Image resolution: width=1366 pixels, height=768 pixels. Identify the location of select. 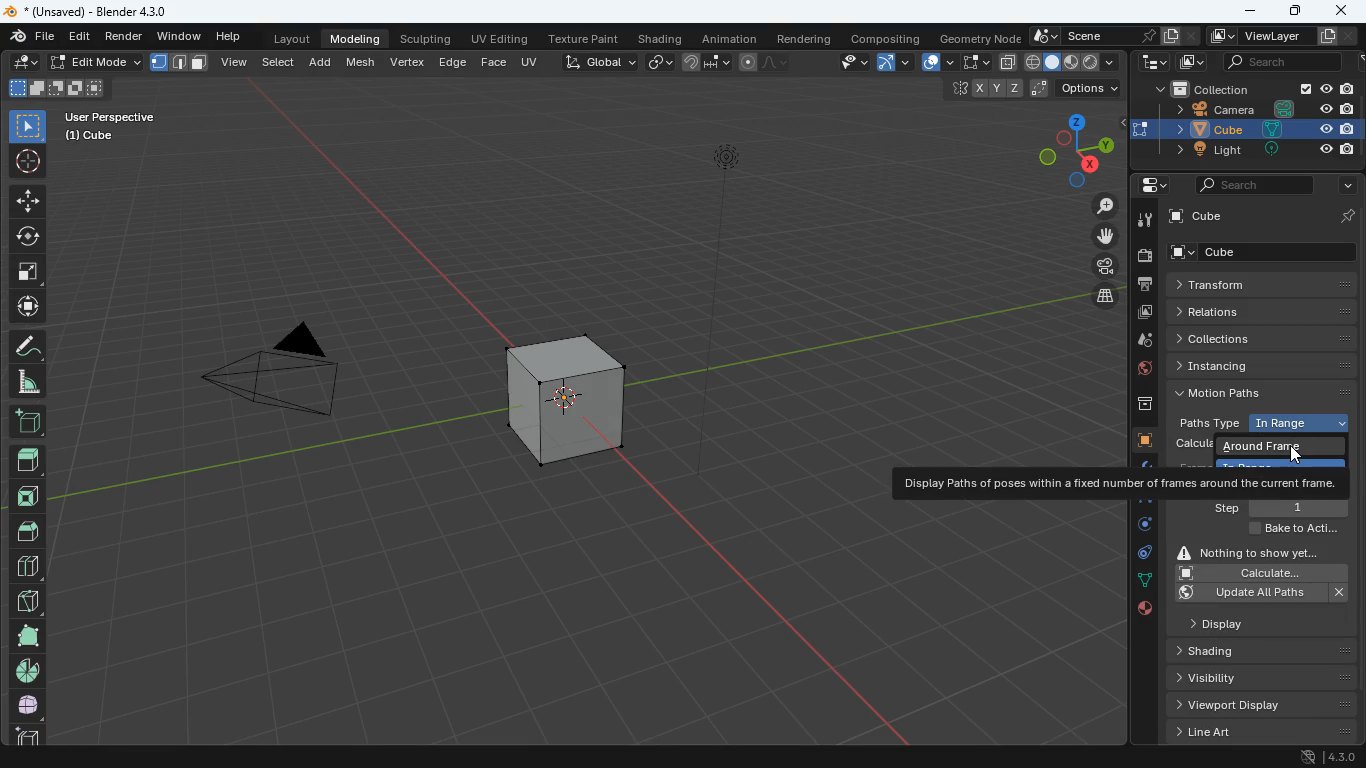
(28, 125).